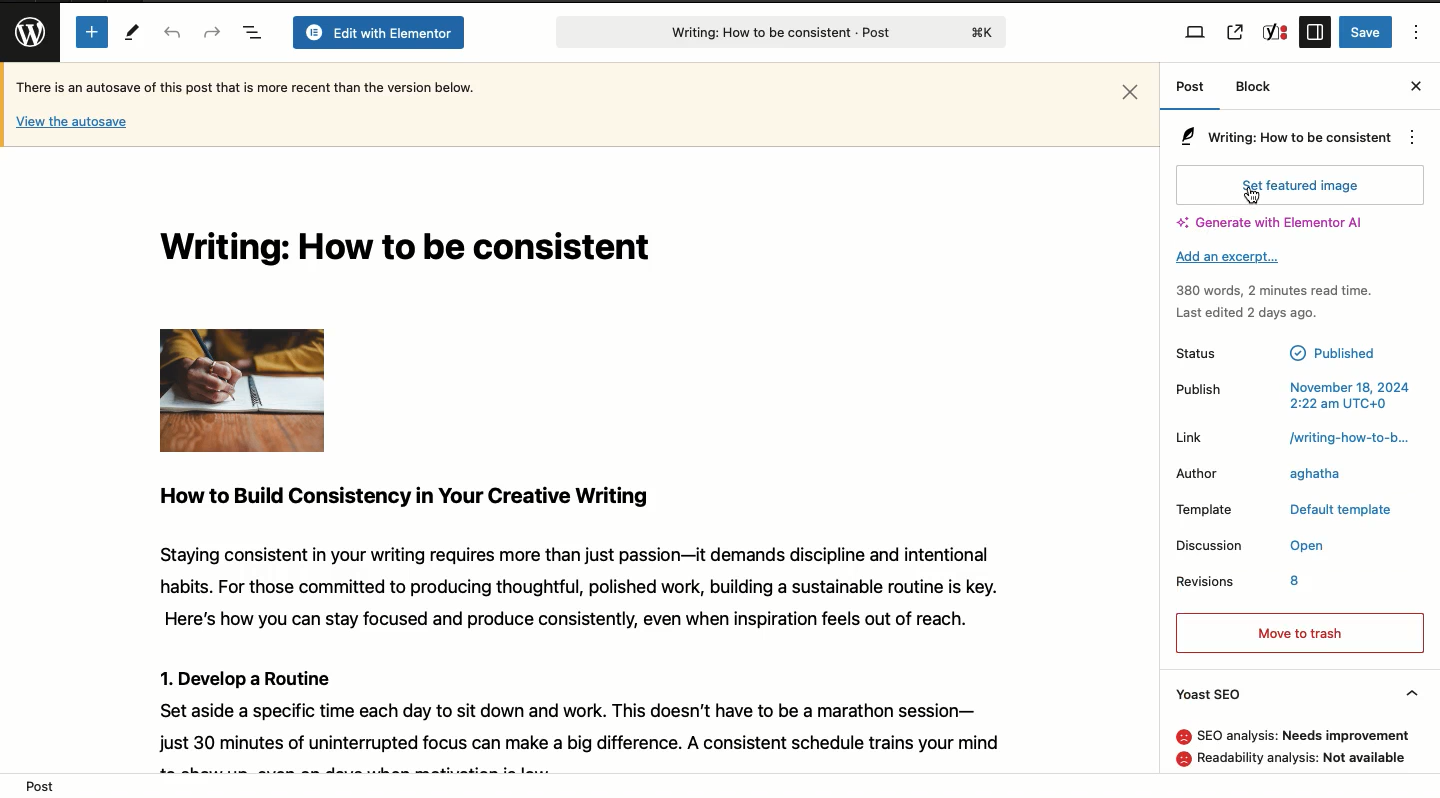  I want to click on Edit with elementor, so click(378, 34).